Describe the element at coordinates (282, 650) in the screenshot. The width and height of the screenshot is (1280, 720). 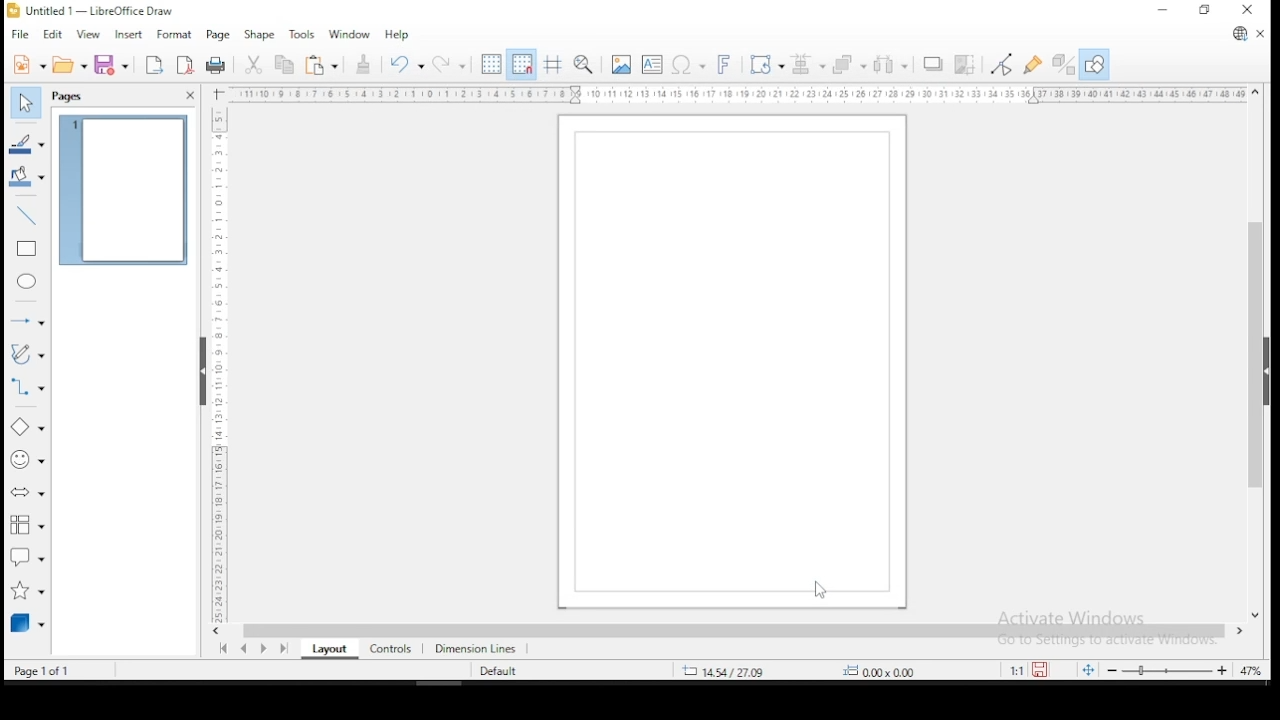
I see `last page` at that location.